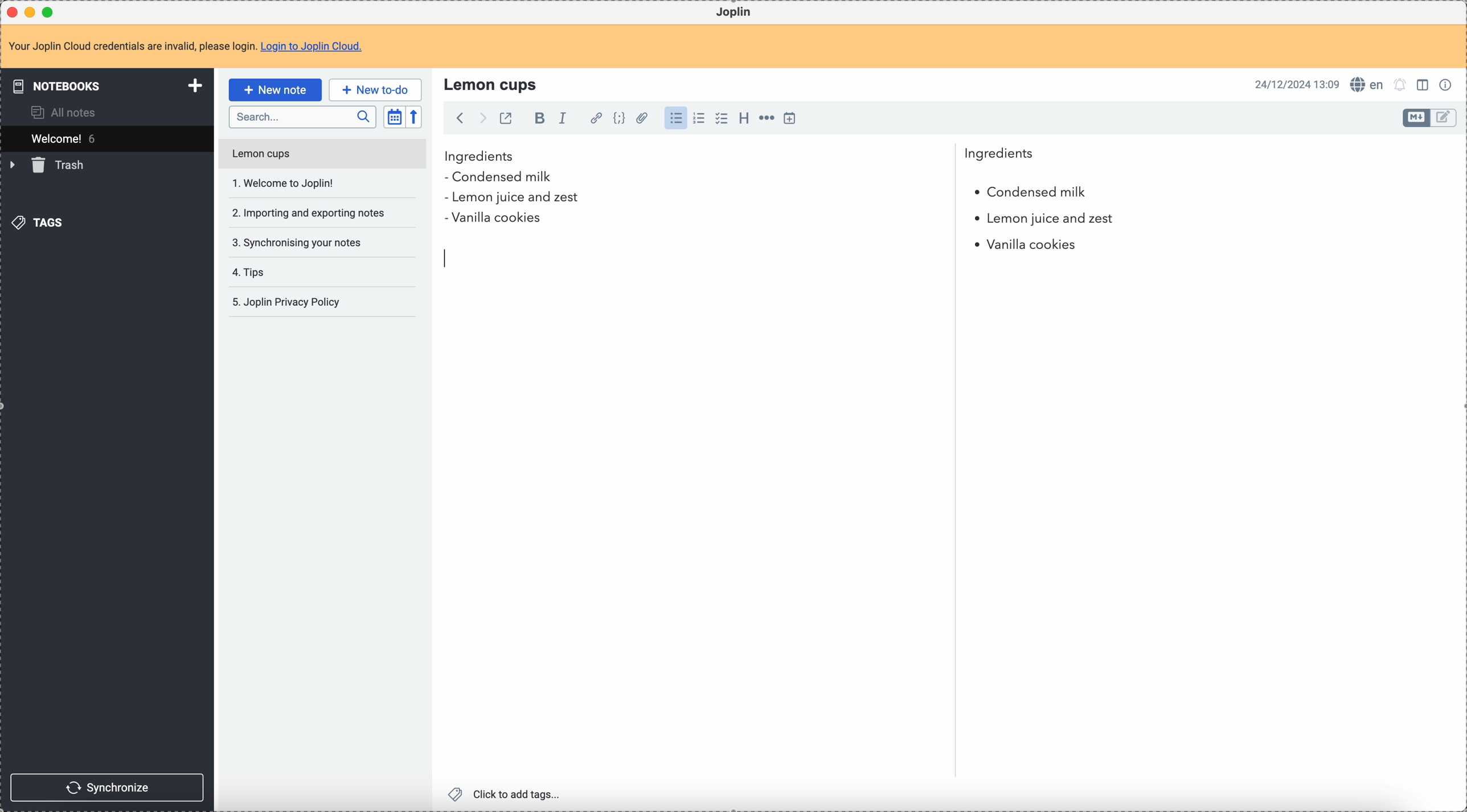  Describe the element at coordinates (1417, 118) in the screenshot. I see `toggle edit layout` at that location.